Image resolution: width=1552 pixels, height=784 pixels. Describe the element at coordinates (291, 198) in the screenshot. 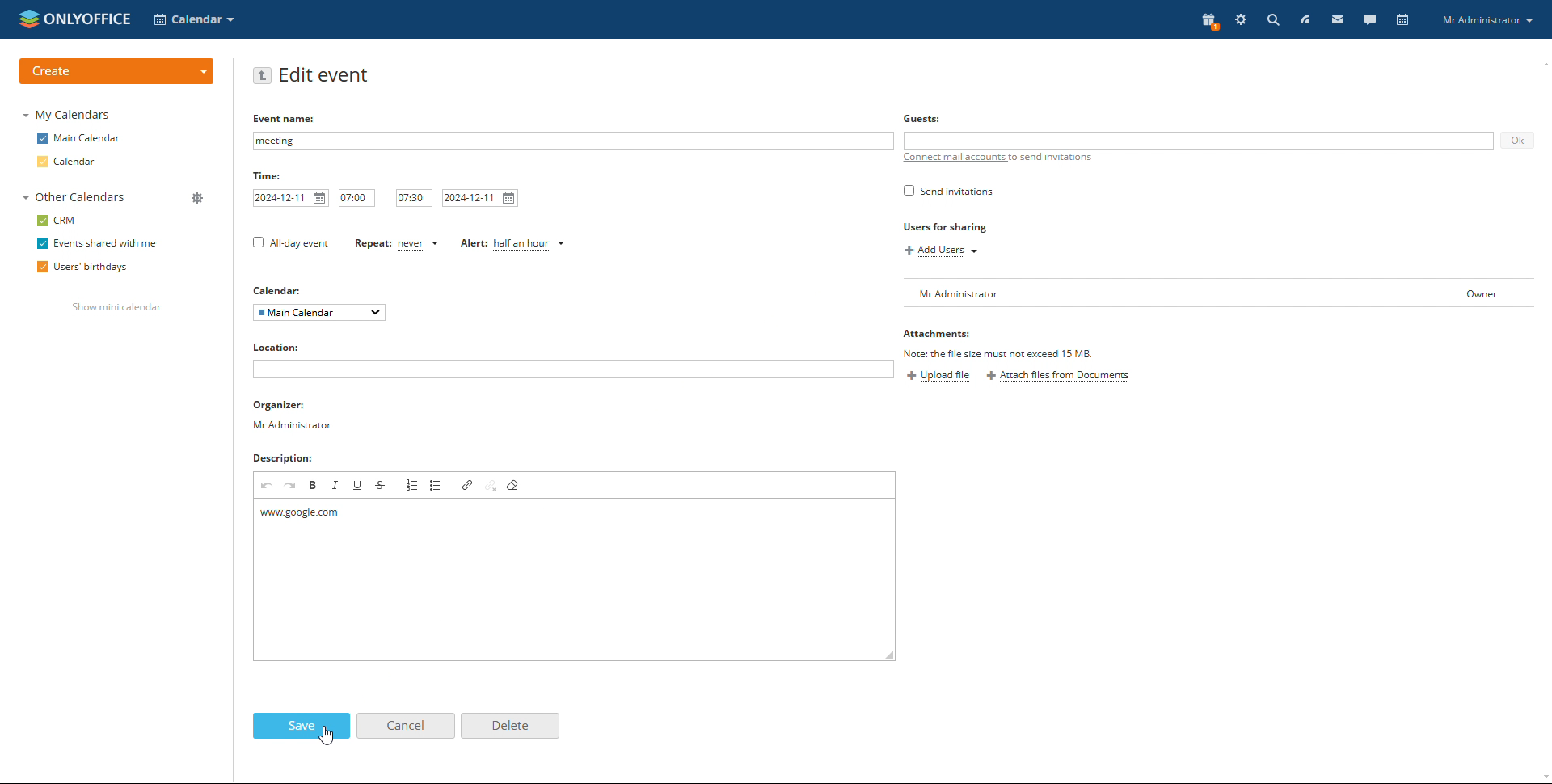

I see `start time` at that location.